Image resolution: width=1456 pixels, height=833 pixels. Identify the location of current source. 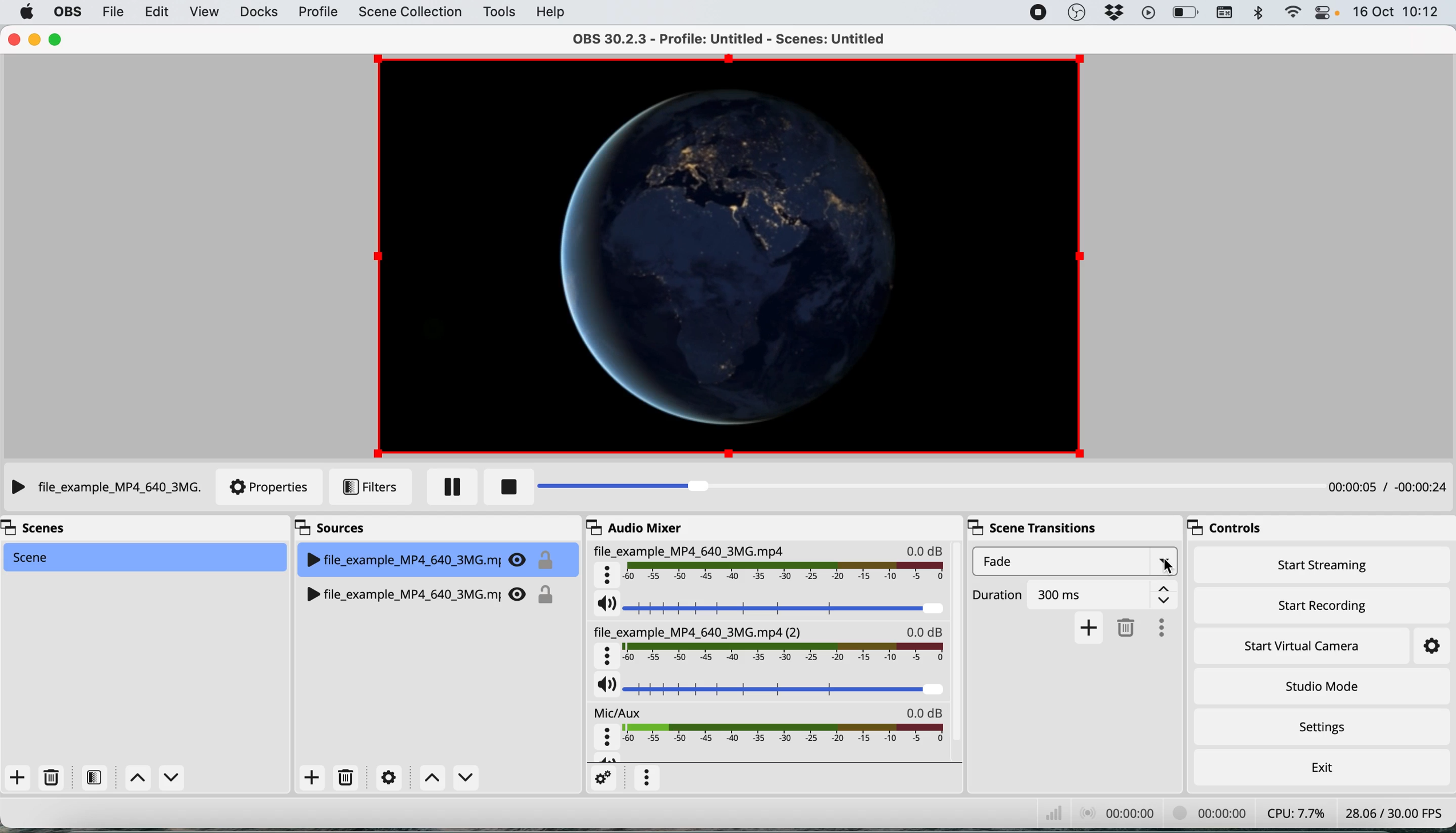
(724, 256).